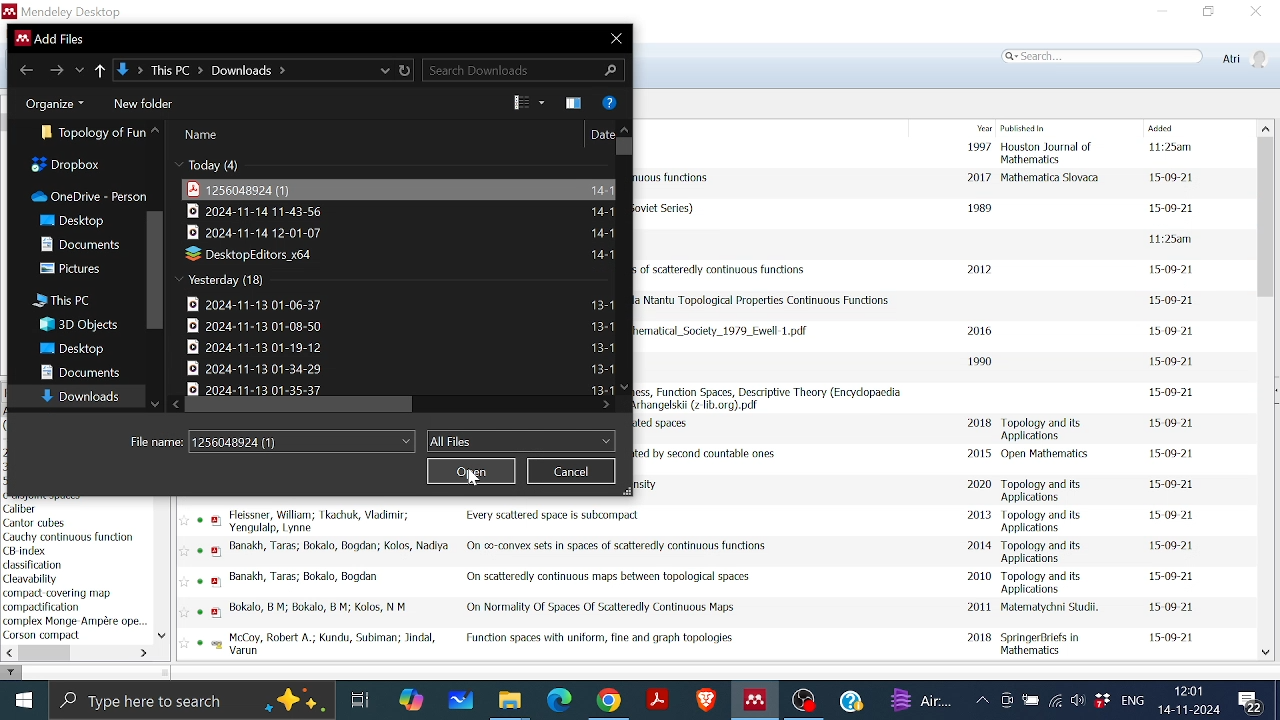 The width and height of the screenshot is (1280, 720). I want to click on Move down all folders, so click(154, 401).